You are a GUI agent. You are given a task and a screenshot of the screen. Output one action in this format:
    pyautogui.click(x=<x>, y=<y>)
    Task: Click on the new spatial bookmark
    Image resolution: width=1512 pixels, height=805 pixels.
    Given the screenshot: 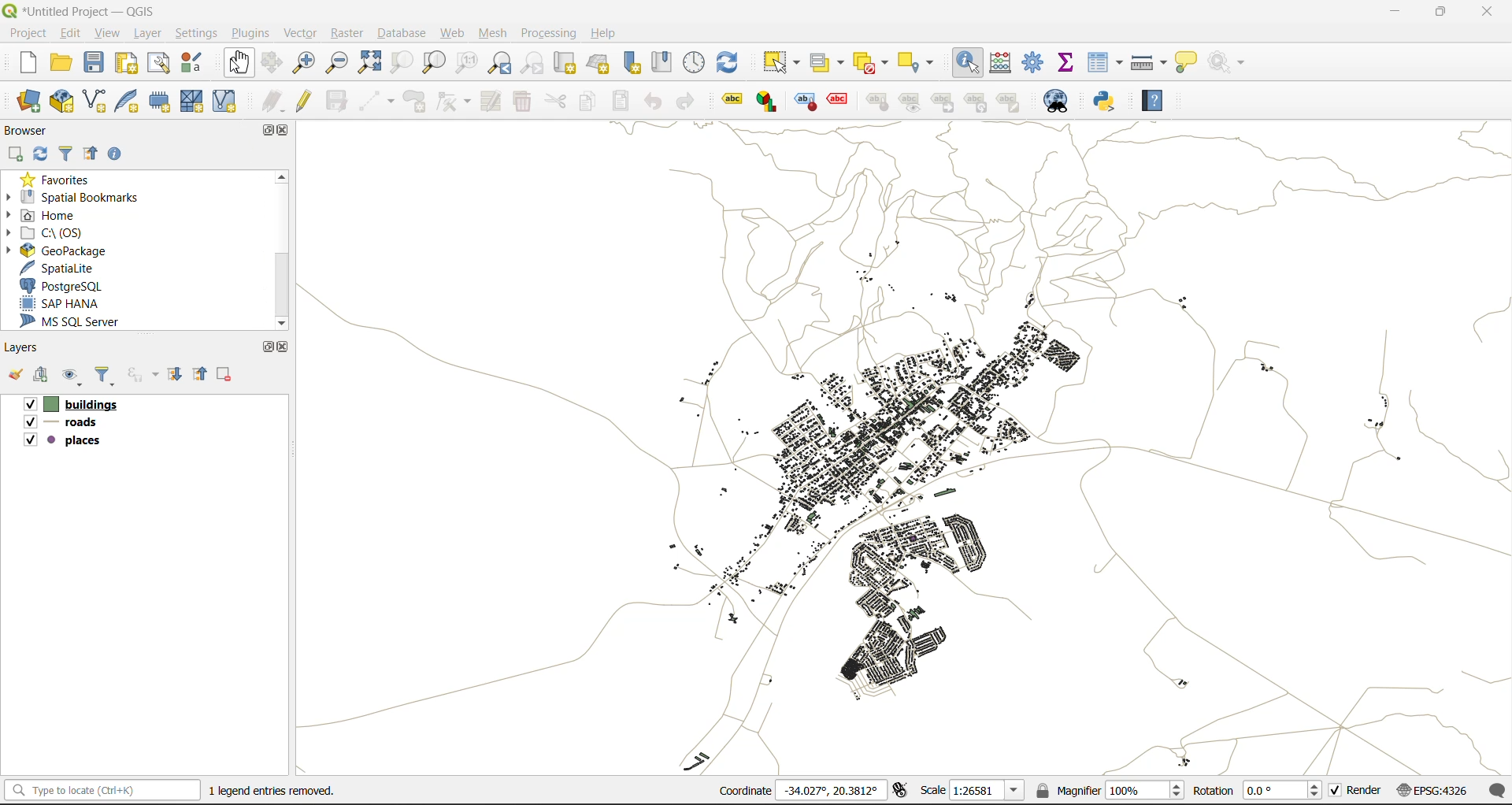 What is the action you would take?
    pyautogui.click(x=632, y=65)
    